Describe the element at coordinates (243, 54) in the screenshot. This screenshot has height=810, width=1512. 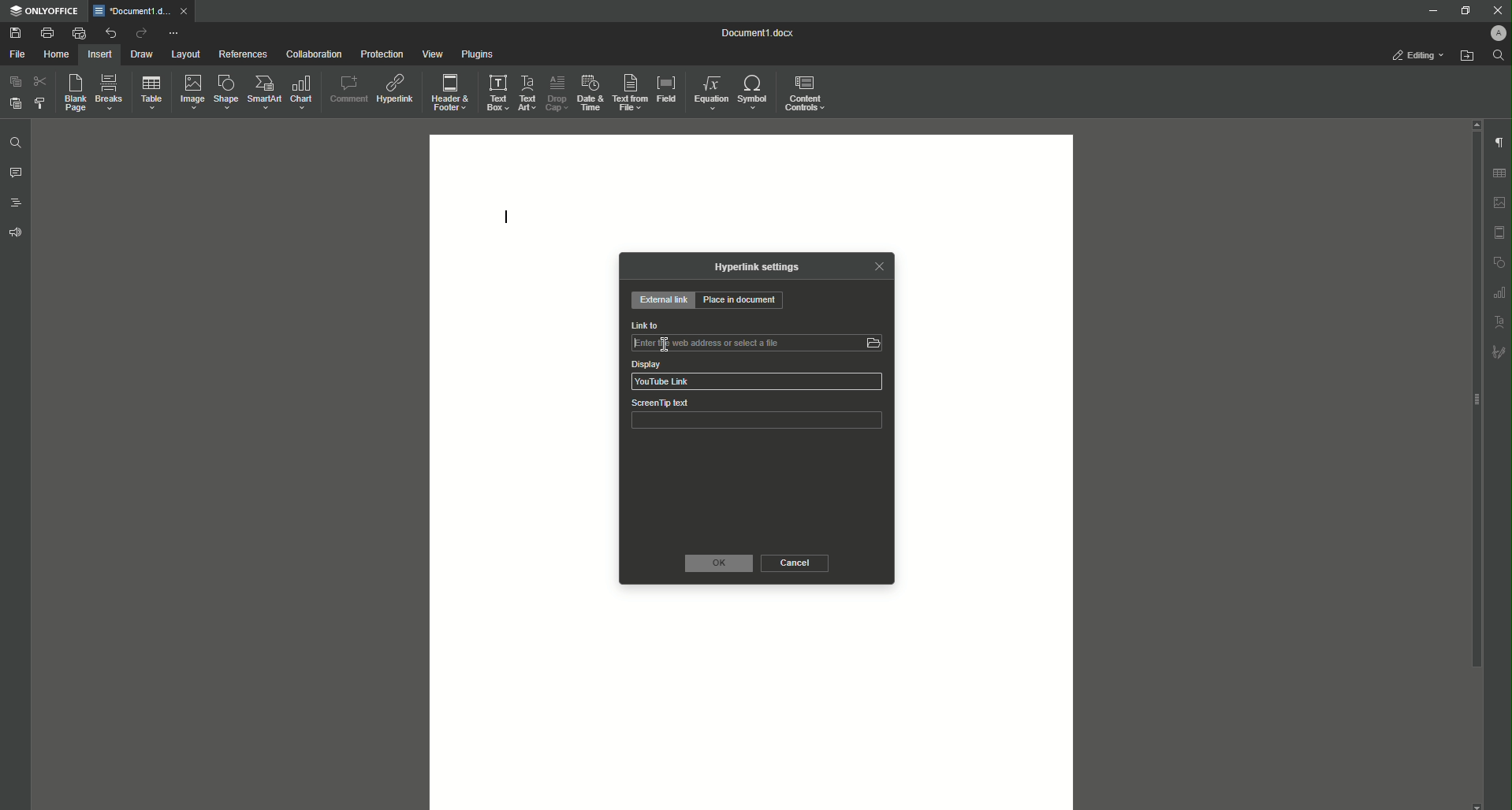
I see `References` at that location.